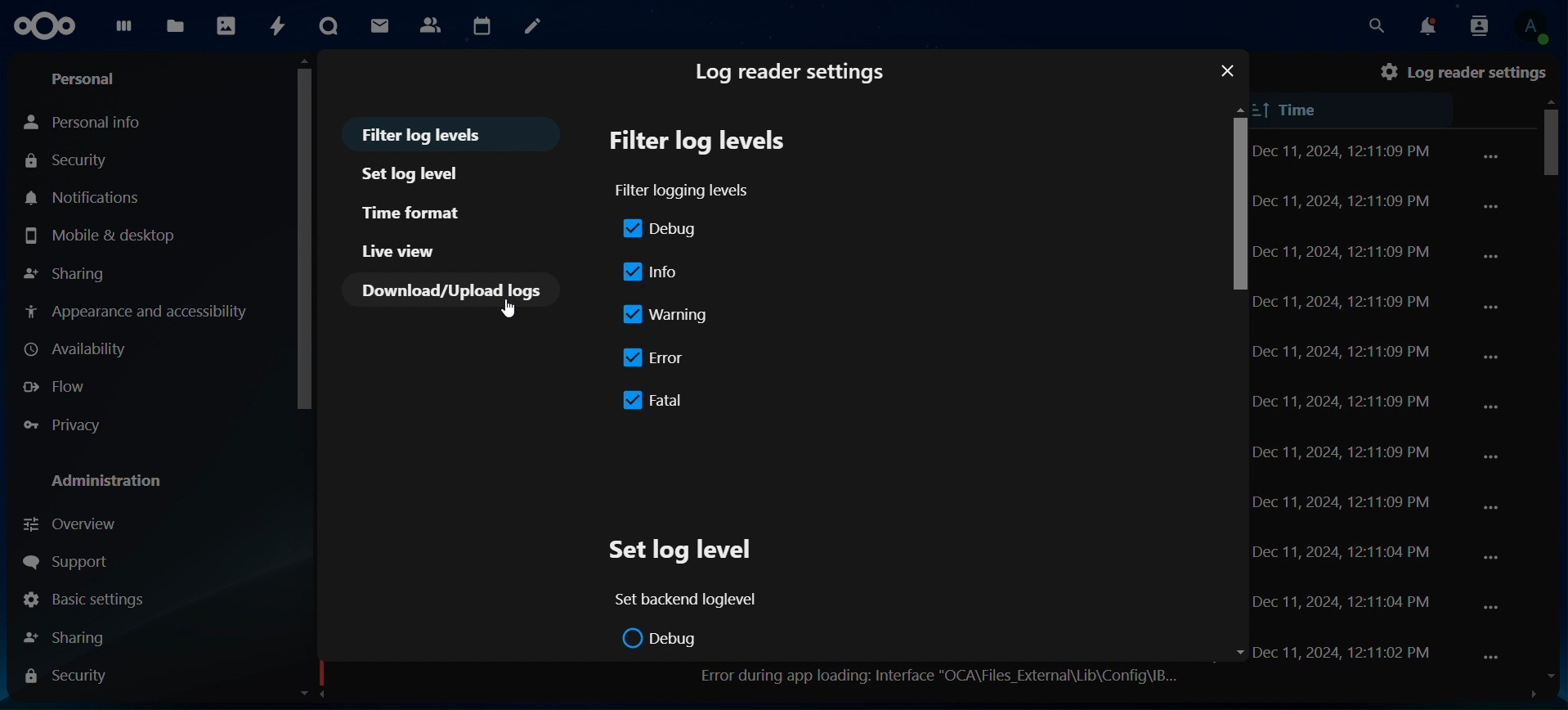 This screenshot has width=1568, height=710. Describe the element at coordinates (1496, 509) in the screenshot. I see `...` at that location.